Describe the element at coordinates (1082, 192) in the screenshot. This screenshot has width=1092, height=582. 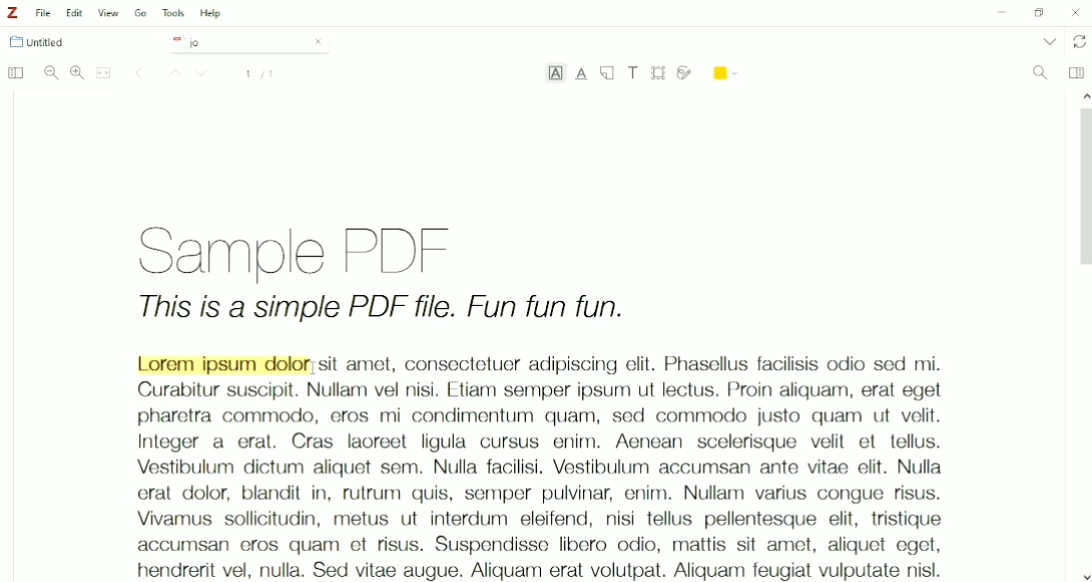
I see `Vertical scrollbar` at that location.